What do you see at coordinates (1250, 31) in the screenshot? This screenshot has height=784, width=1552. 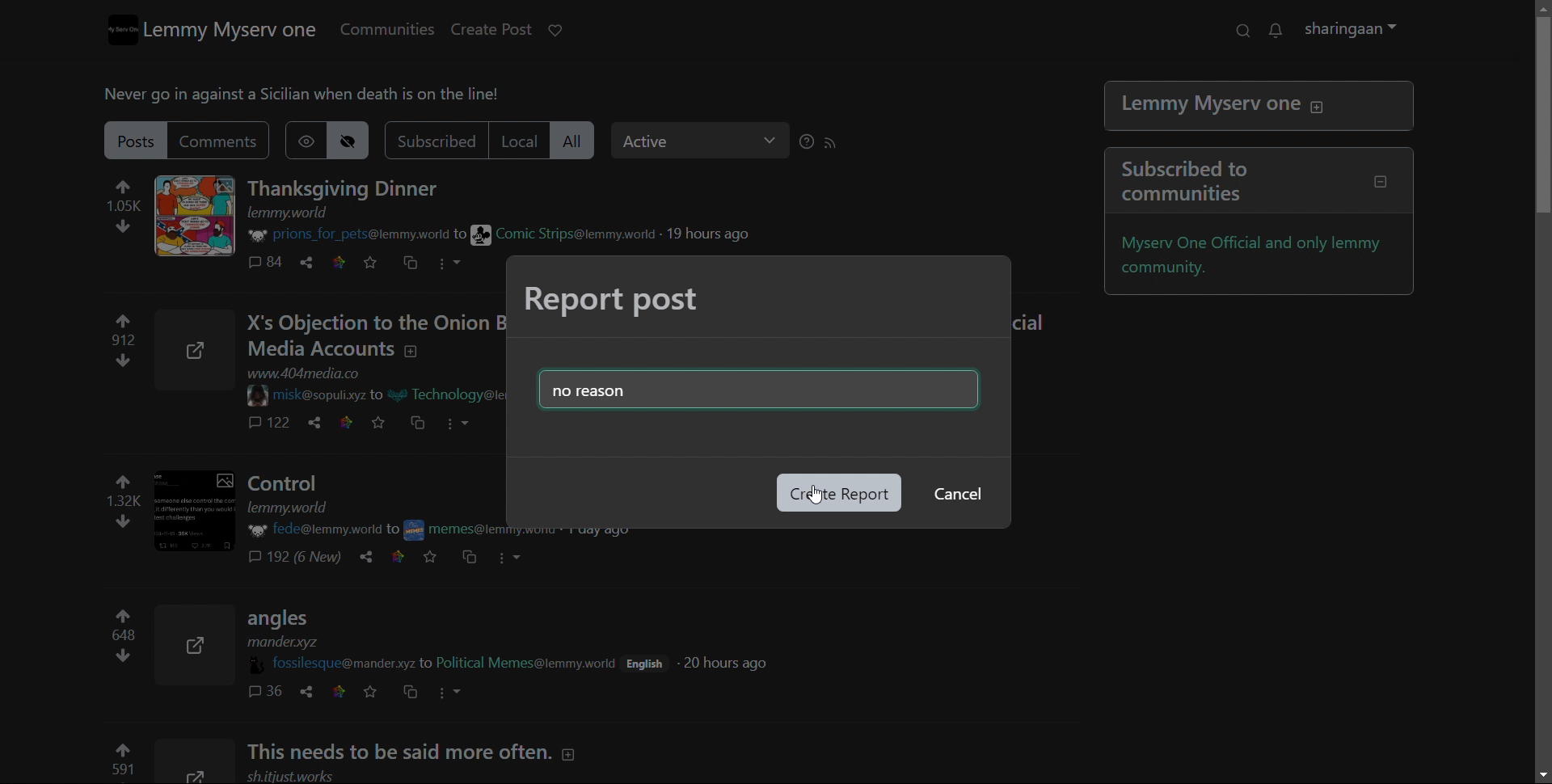 I see `search` at bounding box center [1250, 31].